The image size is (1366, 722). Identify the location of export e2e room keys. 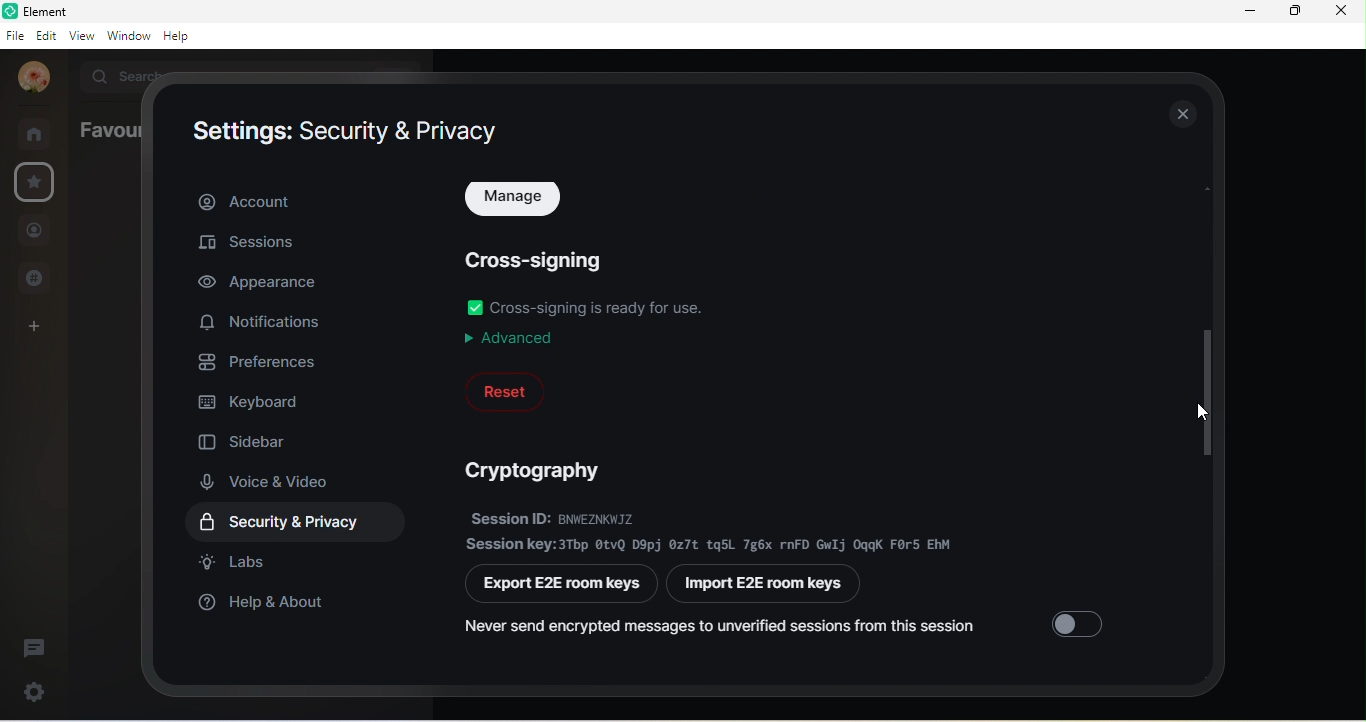
(563, 585).